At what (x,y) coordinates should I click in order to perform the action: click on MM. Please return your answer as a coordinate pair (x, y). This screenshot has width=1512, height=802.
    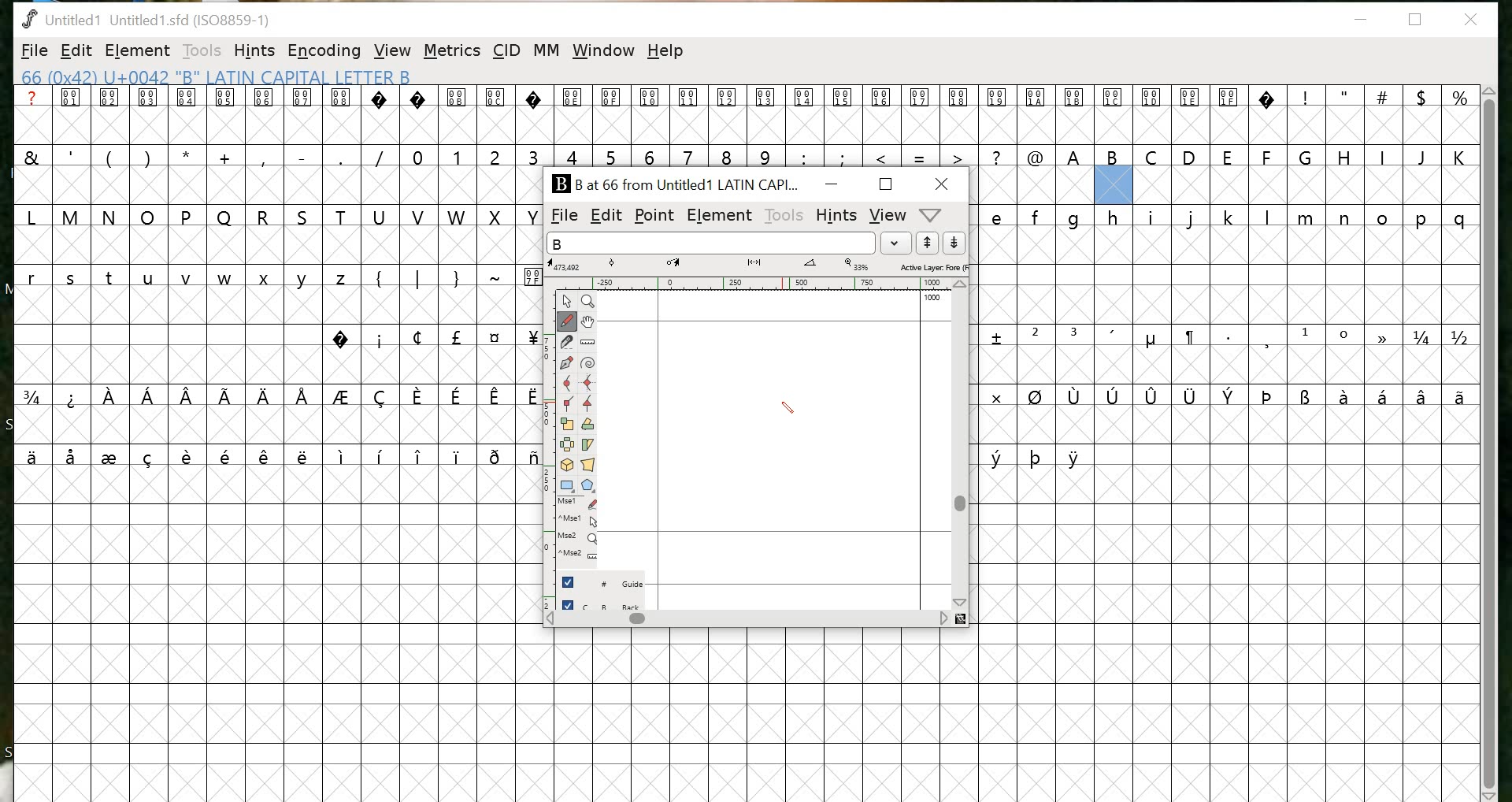
    Looking at the image, I should click on (547, 51).